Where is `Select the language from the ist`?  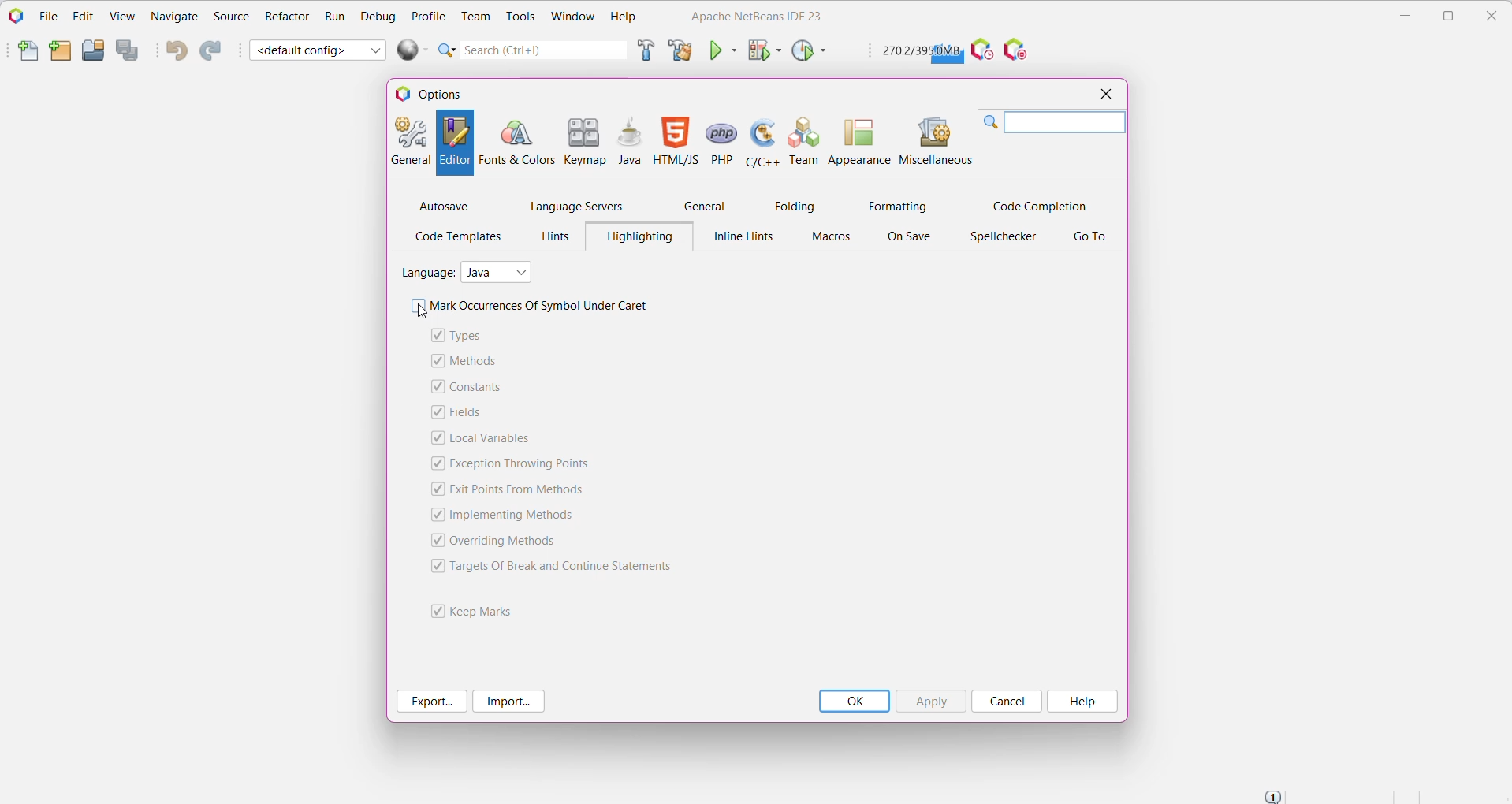
Select the language from the ist is located at coordinates (500, 272).